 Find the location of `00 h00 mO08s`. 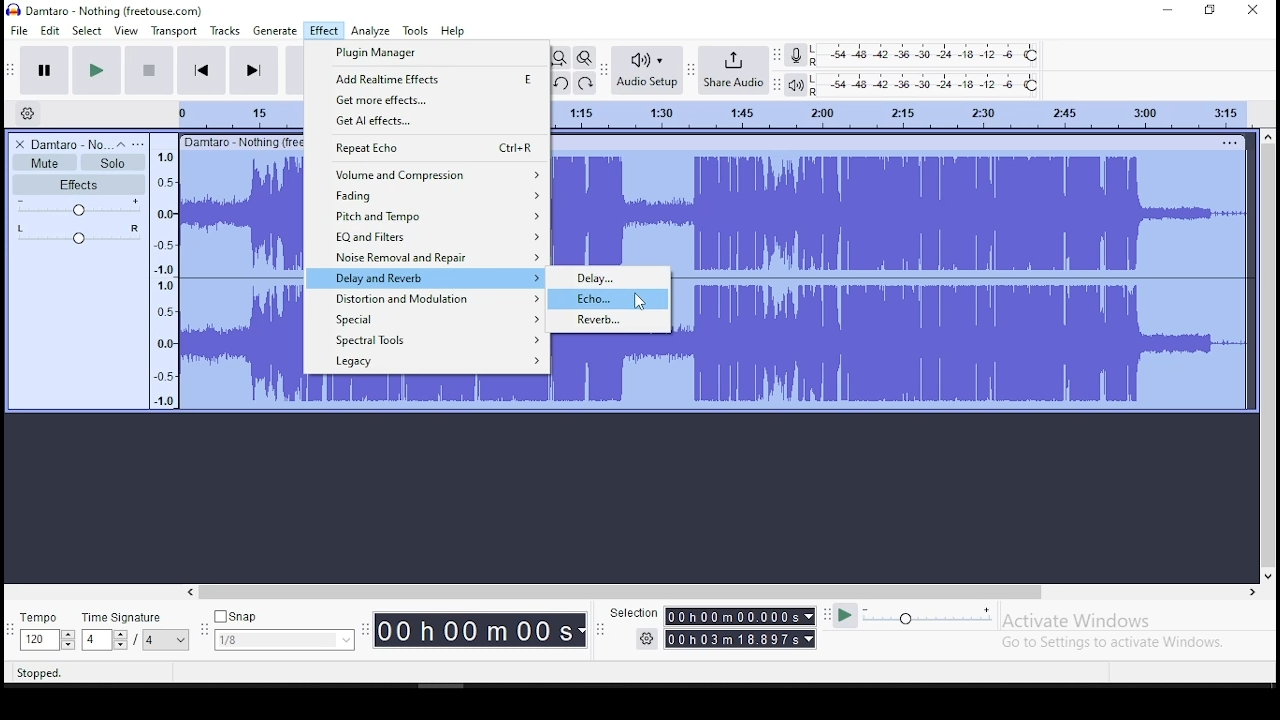

00 h00 mO08s is located at coordinates (473, 631).